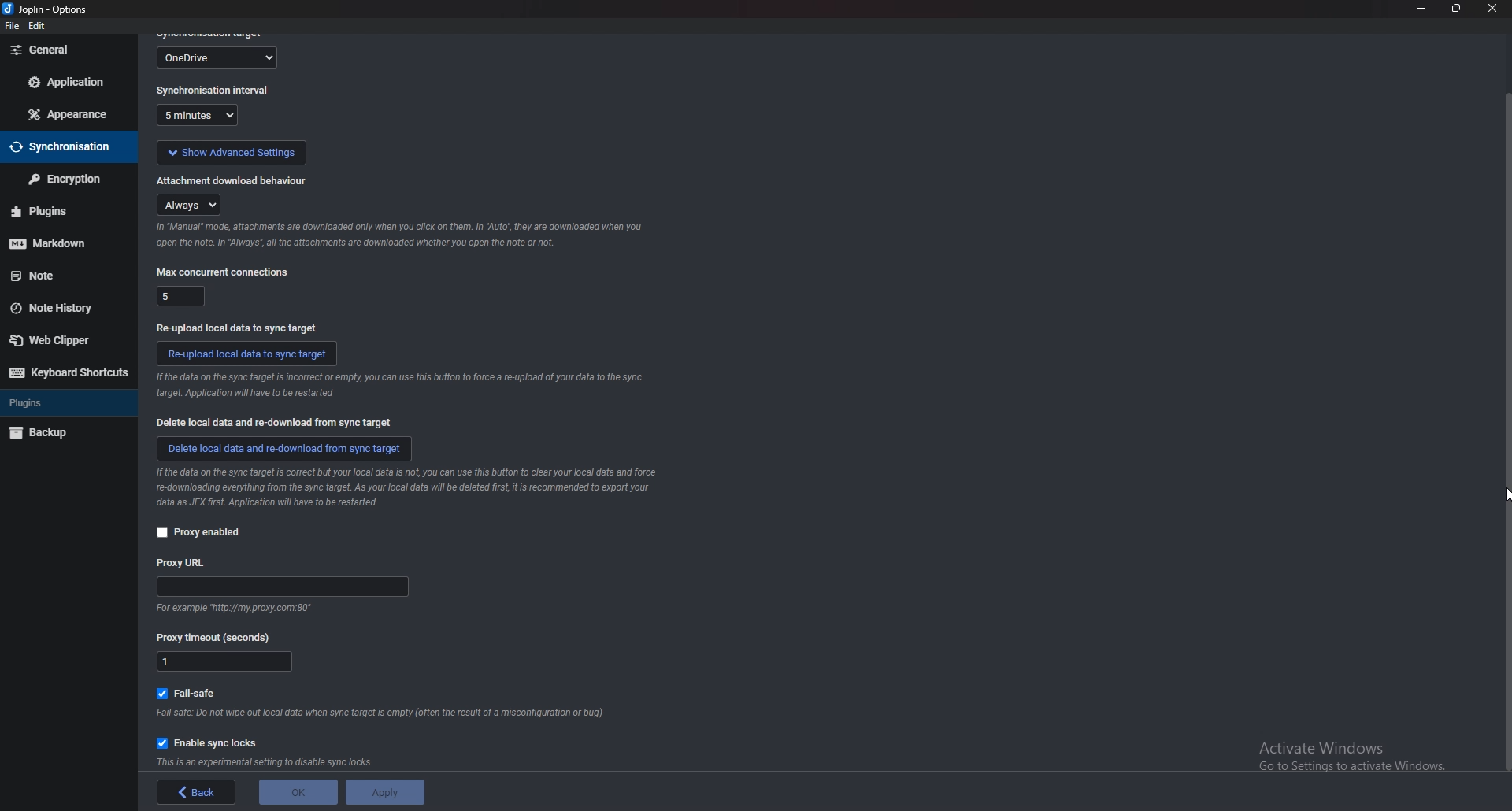  Describe the element at coordinates (58, 434) in the screenshot. I see `backup` at that location.